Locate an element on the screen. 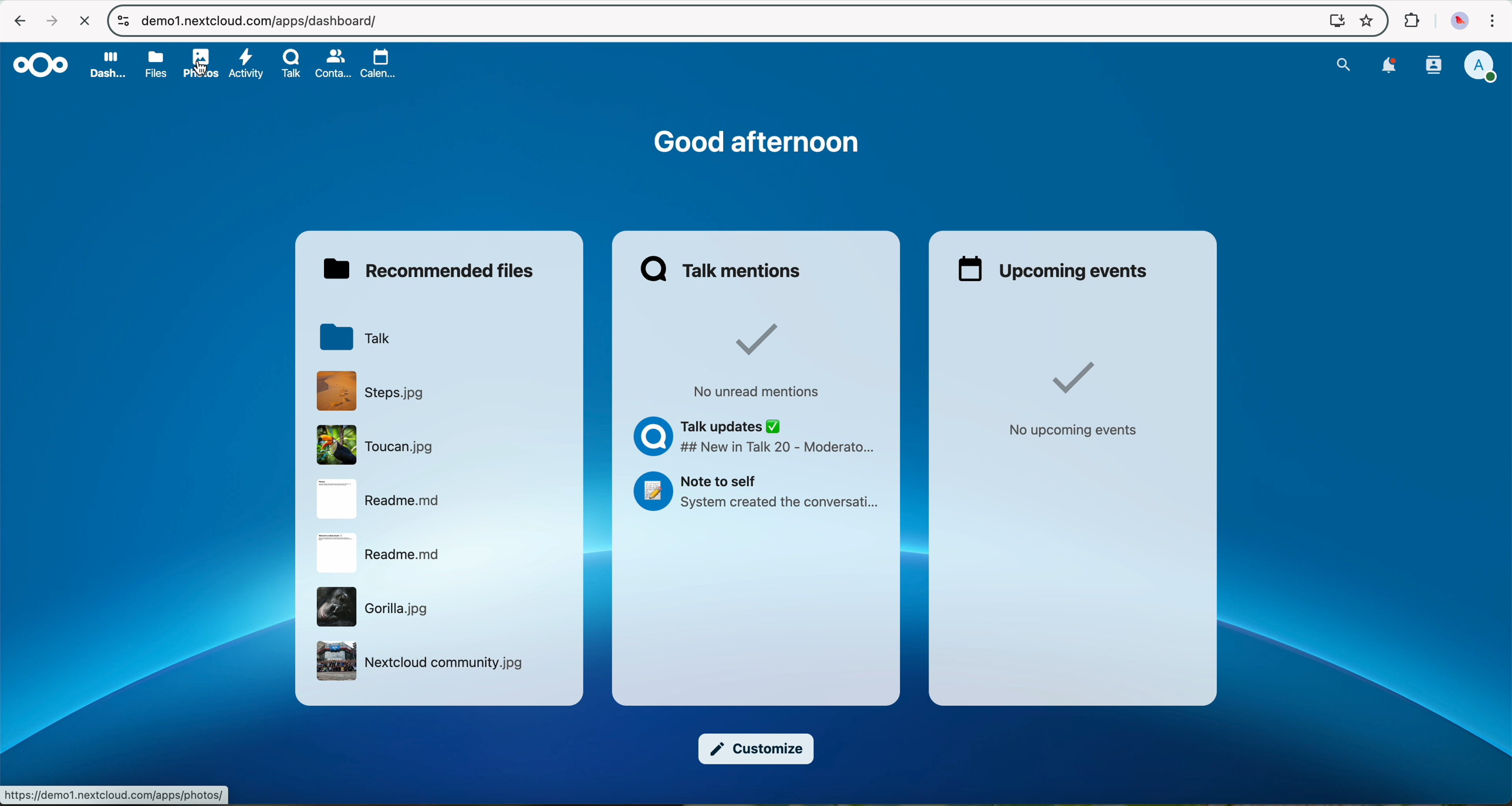  extensions is located at coordinates (1410, 21).